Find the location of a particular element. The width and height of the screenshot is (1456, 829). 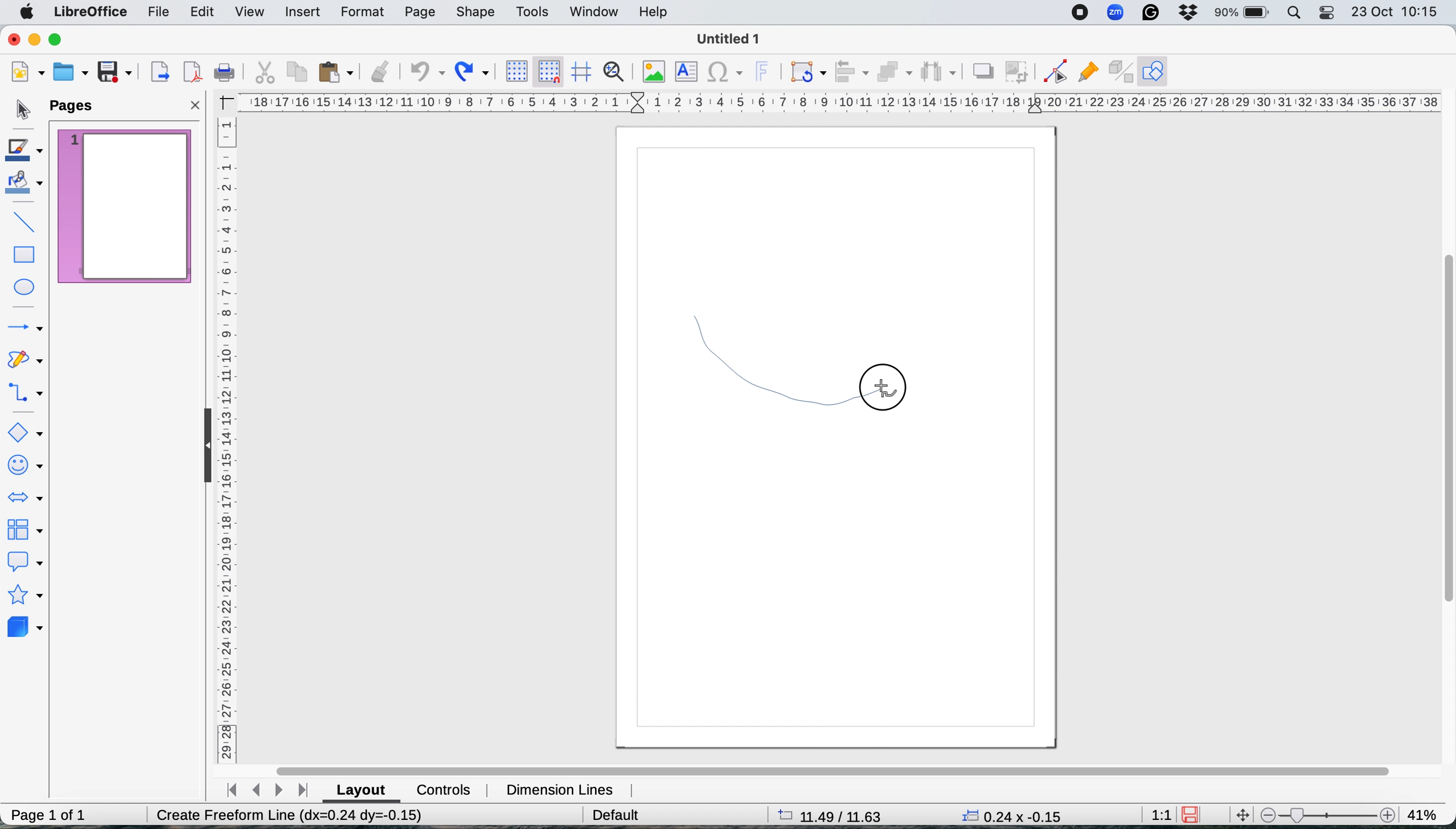

paste is located at coordinates (338, 73).